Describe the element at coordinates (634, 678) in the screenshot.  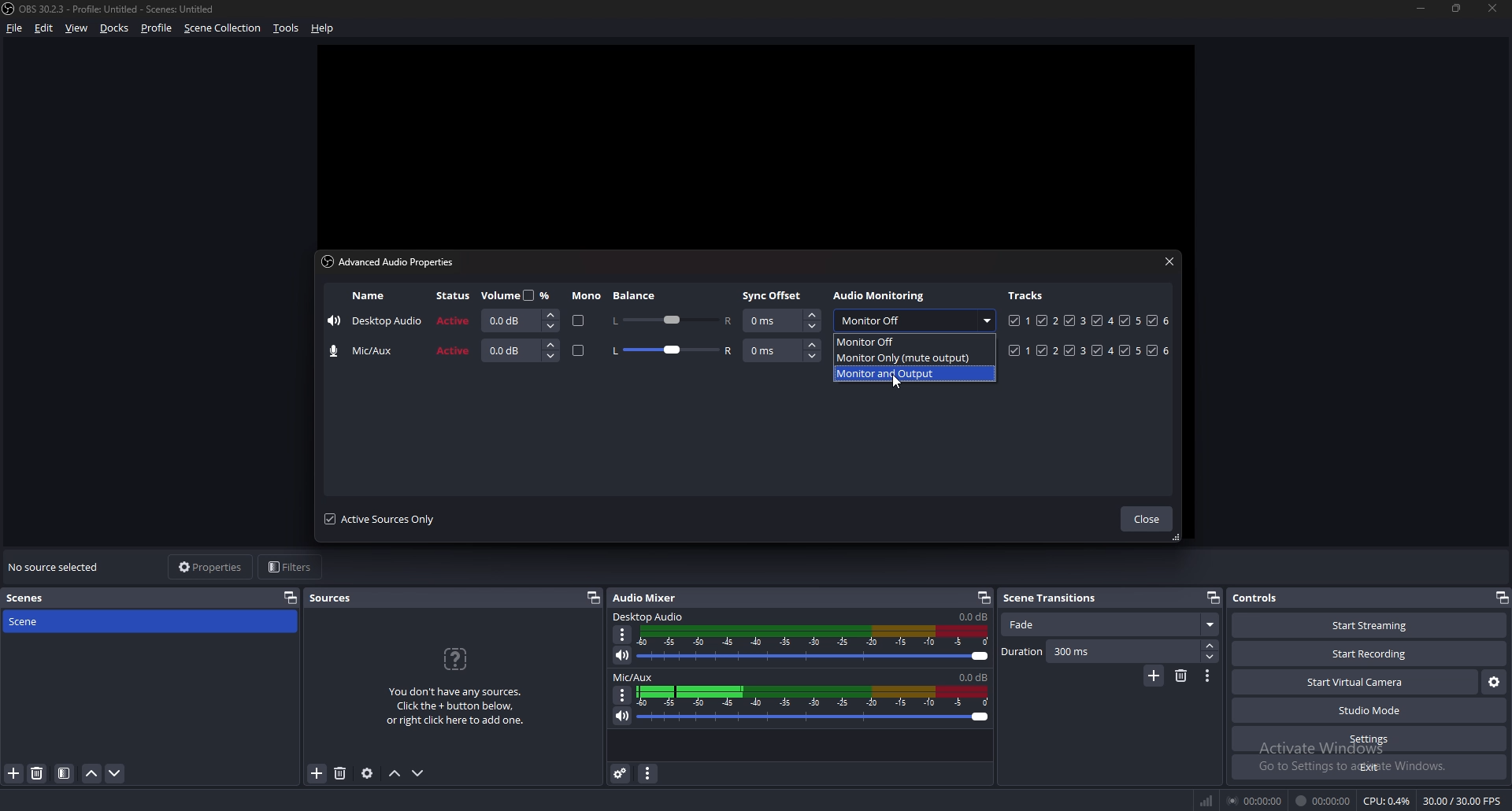
I see `mic/aux` at that location.